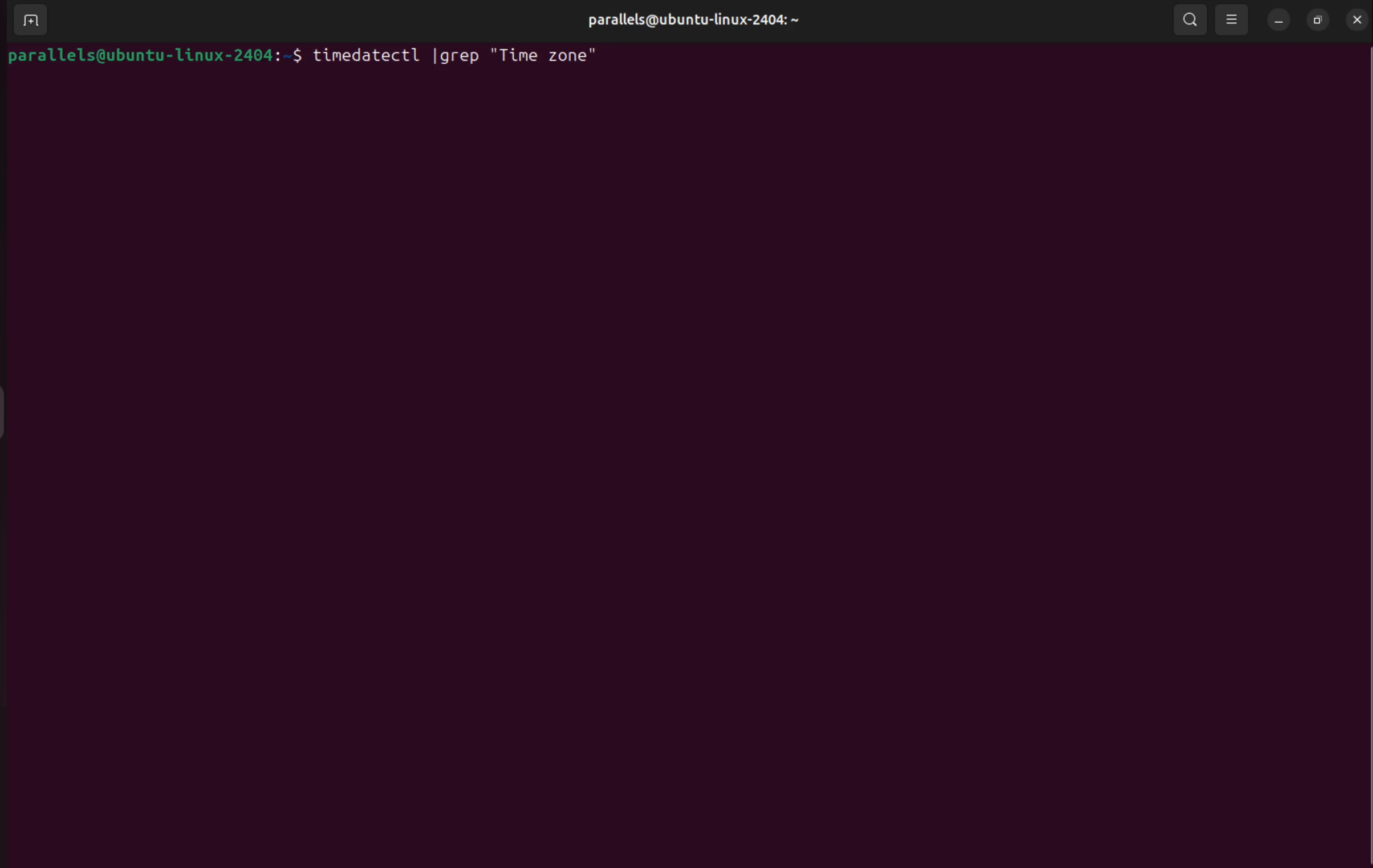 The width and height of the screenshot is (1373, 868). Describe the element at coordinates (1319, 21) in the screenshot. I see `resize` at that location.